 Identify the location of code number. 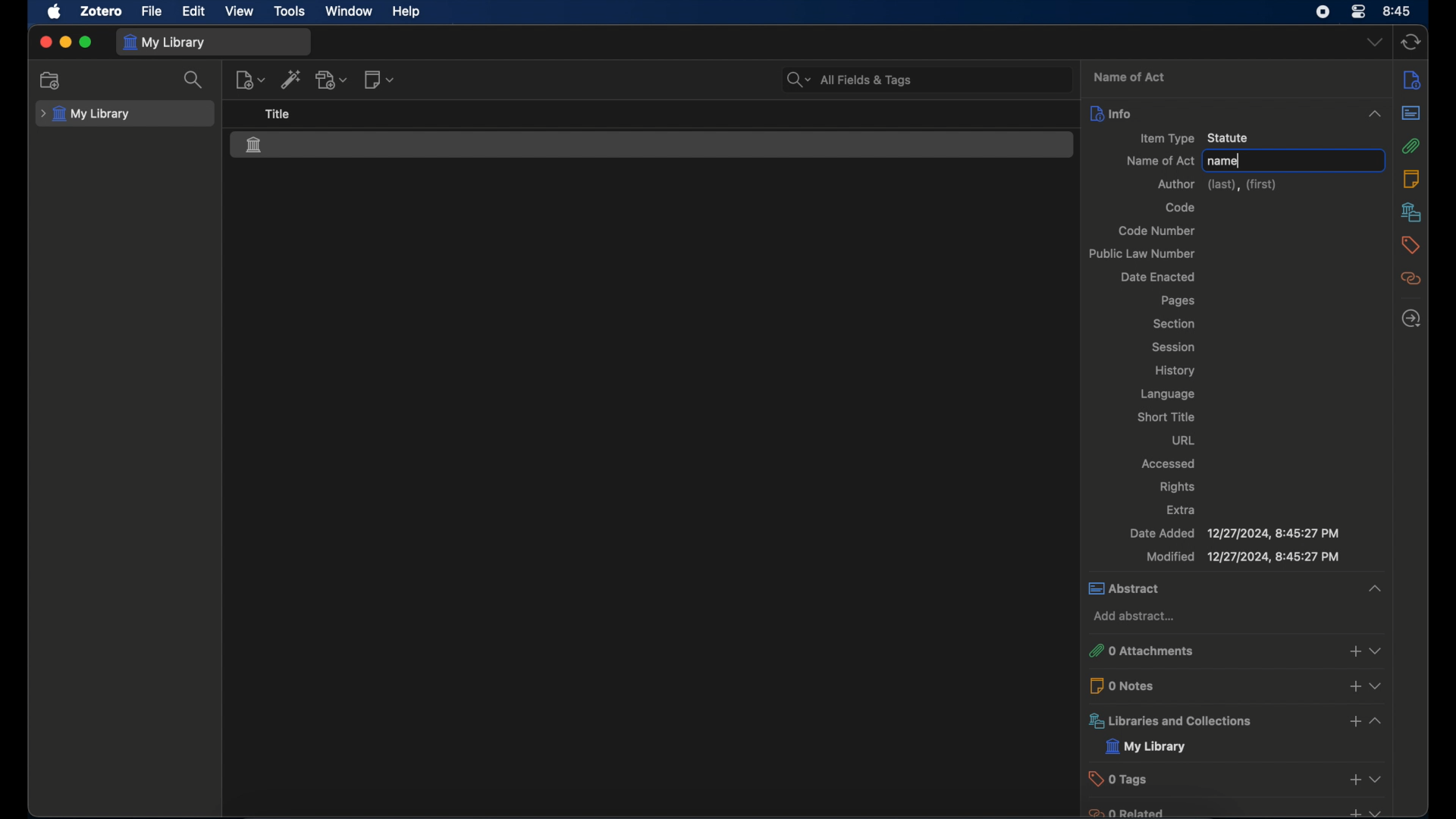
(1156, 231).